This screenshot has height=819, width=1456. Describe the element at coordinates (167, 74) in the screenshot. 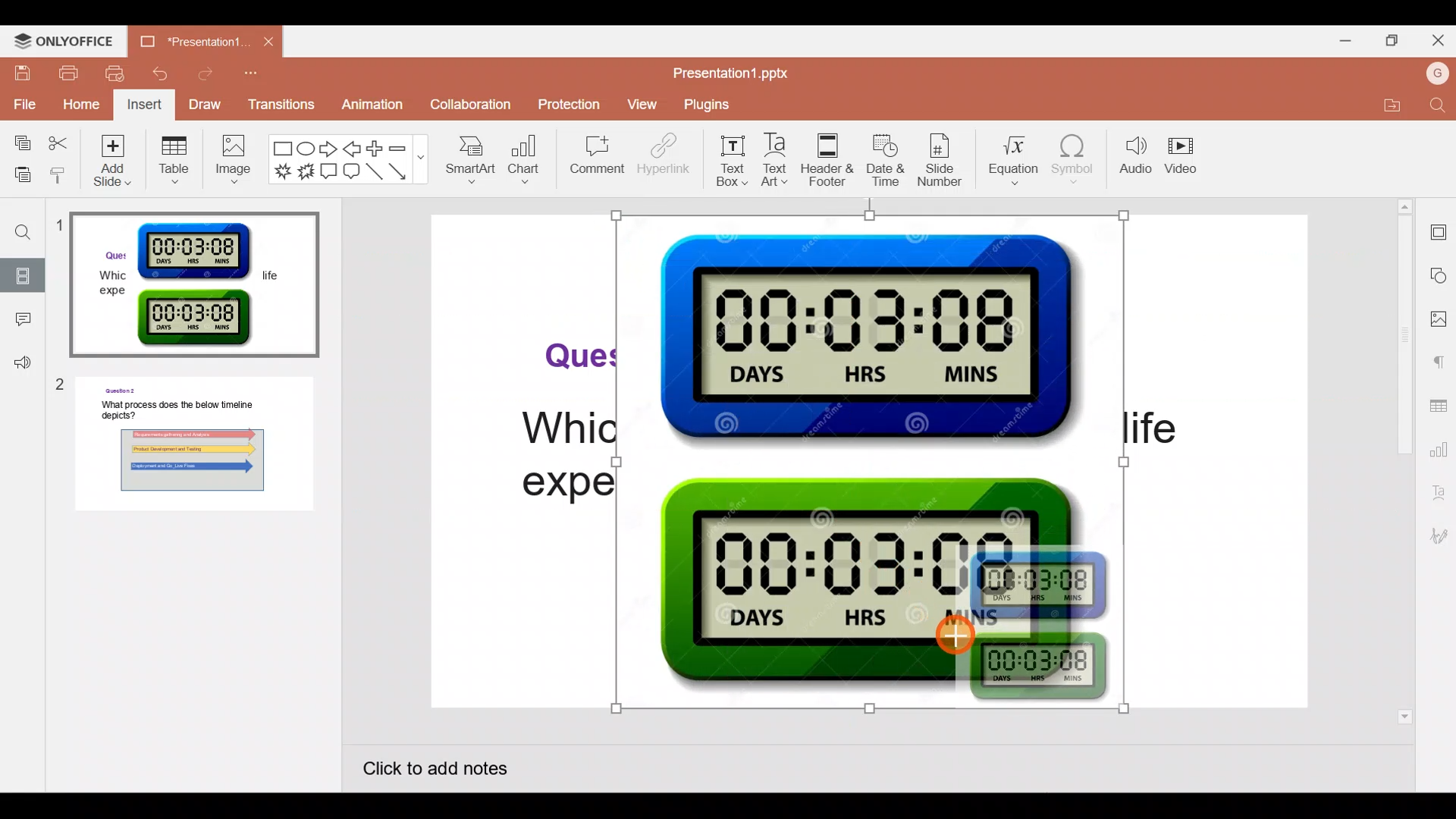

I see `Undo` at that location.